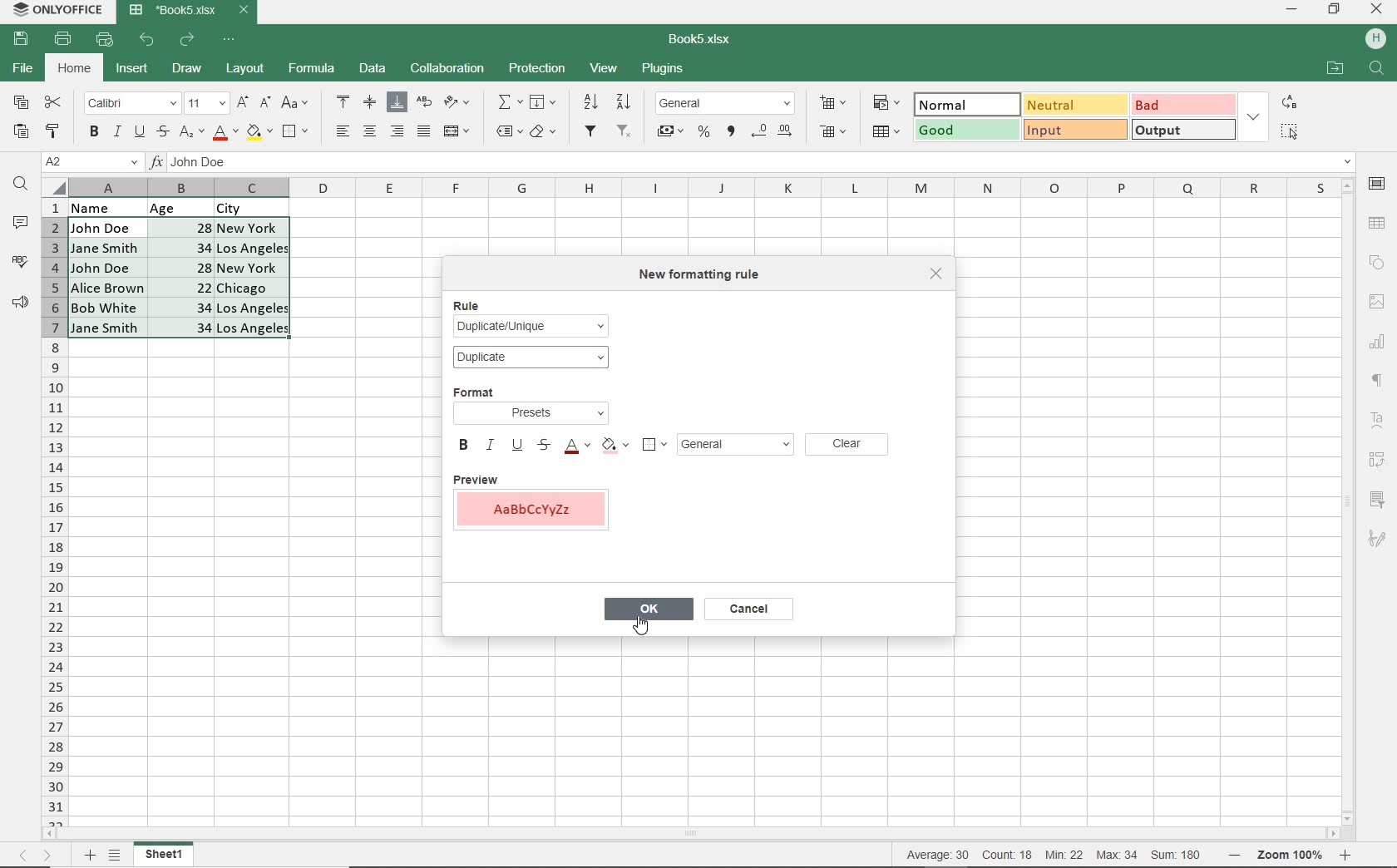  Describe the element at coordinates (535, 338) in the screenshot. I see `RULE` at that location.